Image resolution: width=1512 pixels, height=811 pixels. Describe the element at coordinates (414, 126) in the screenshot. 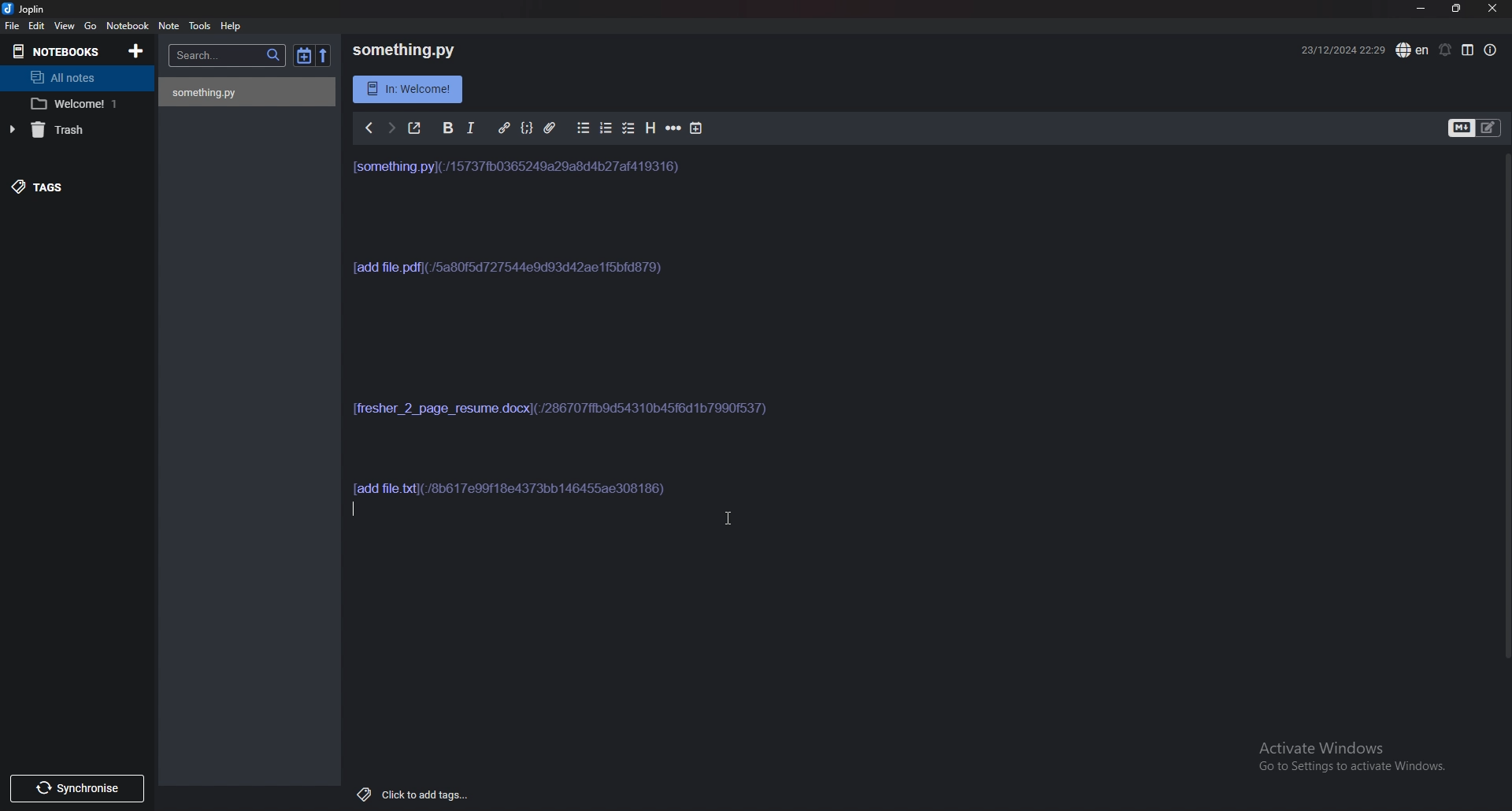

I see `toggle external editor` at that location.